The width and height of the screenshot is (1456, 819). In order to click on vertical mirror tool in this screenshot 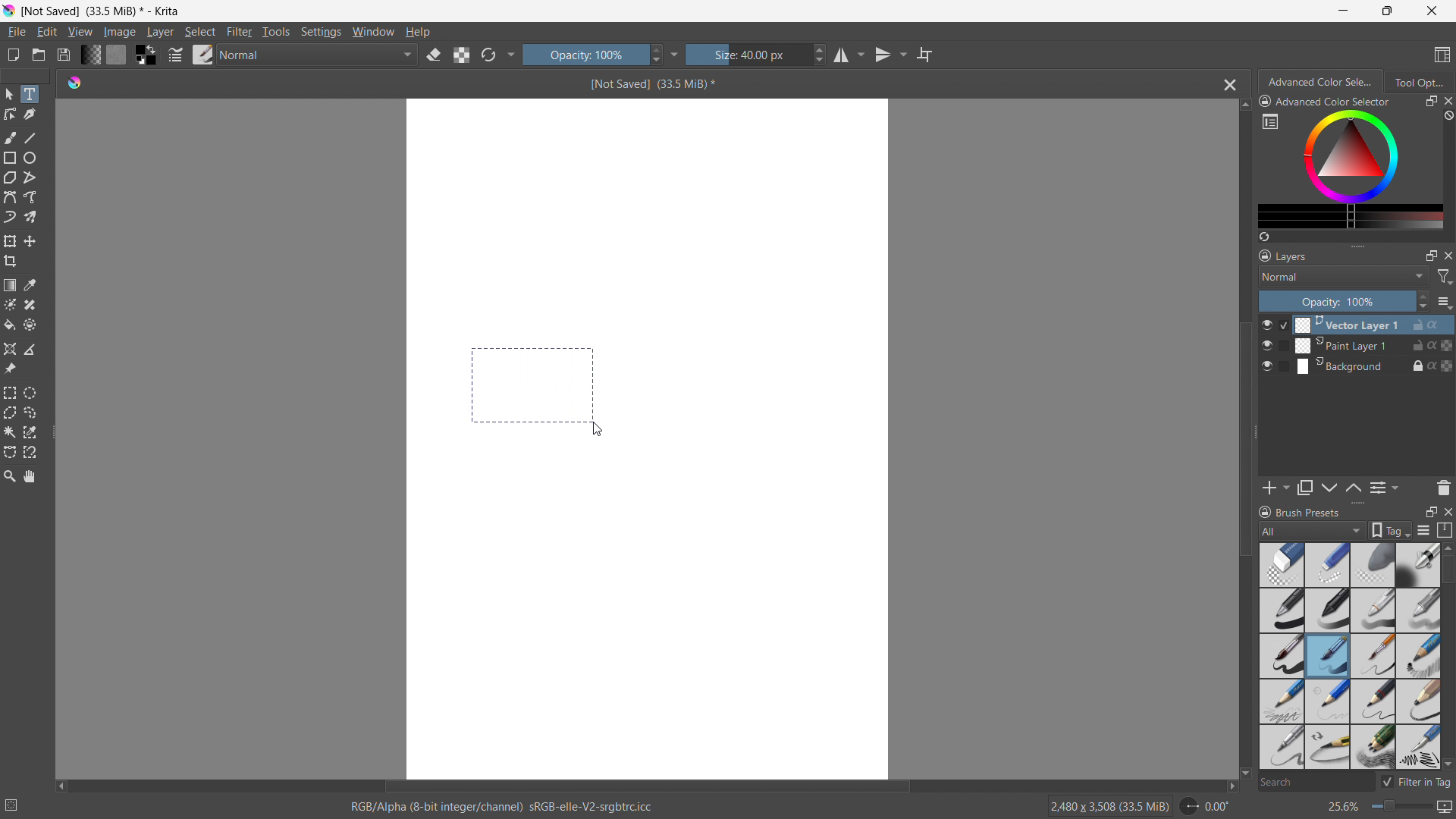, I will do `click(888, 55)`.